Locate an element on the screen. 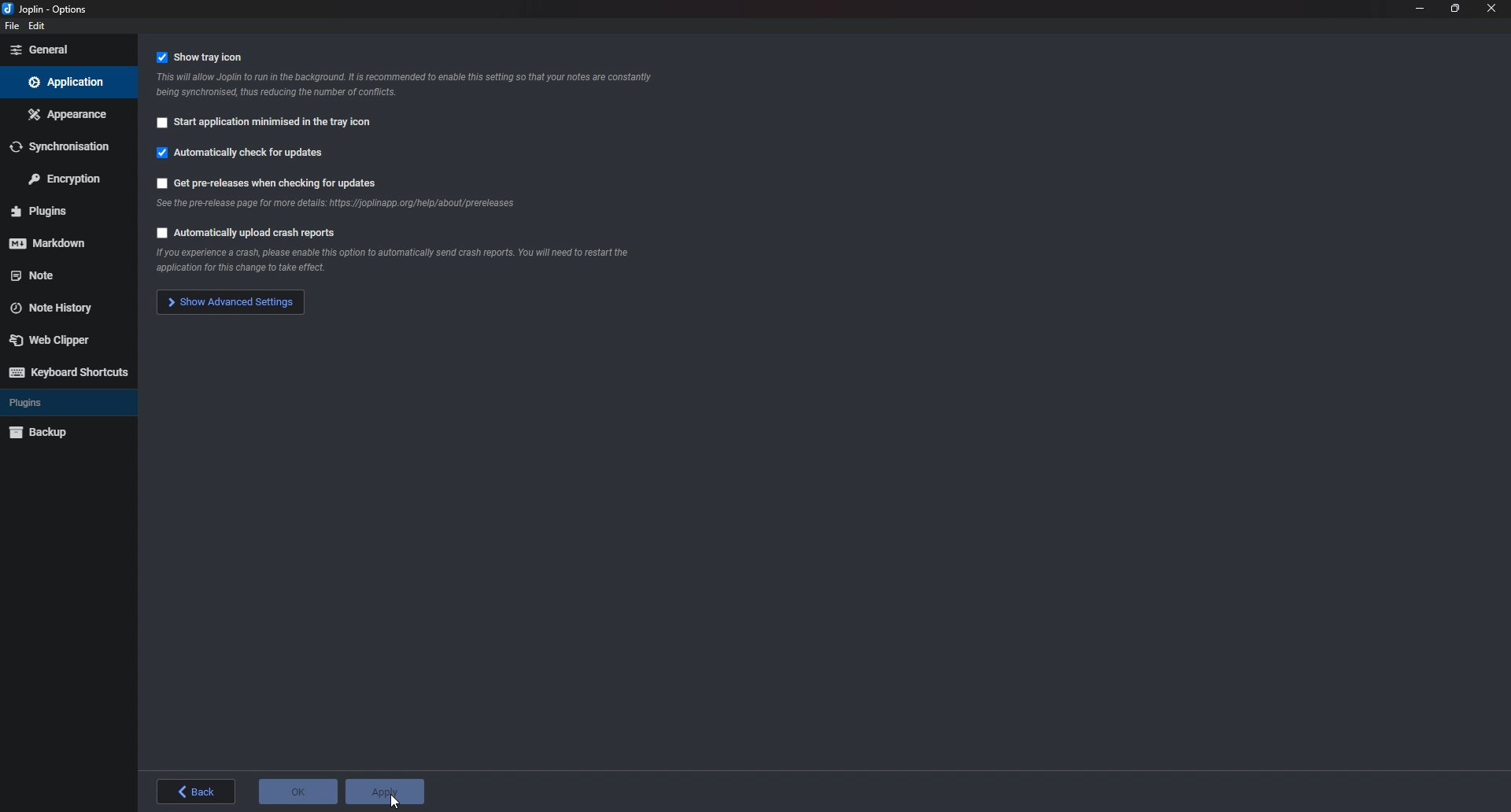 This screenshot has height=812, width=1511. start application minimized in the tray icon is located at coordinates (268, 125).